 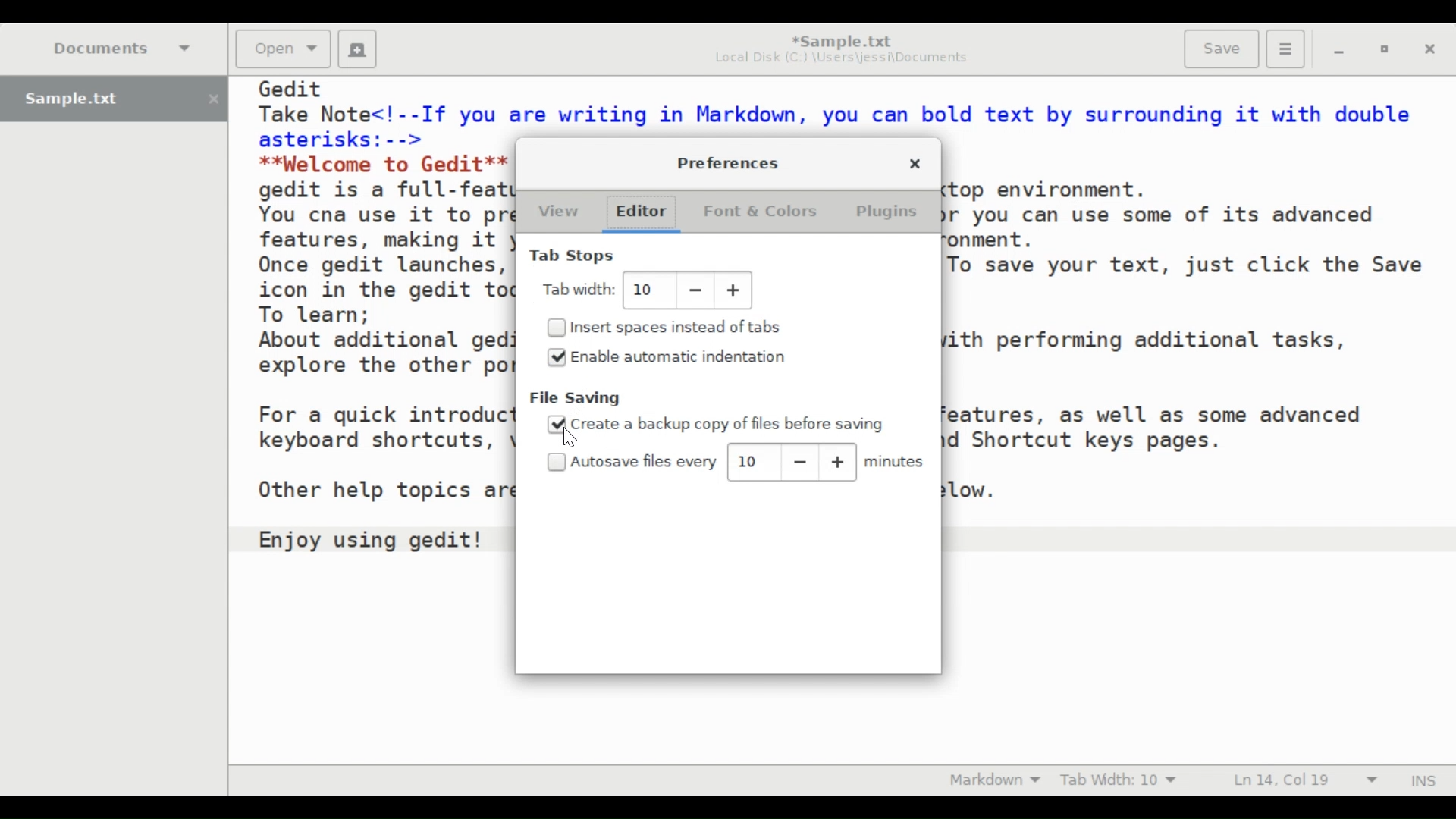 I want to click on *Sample.txt, so click(x=841, y=40).